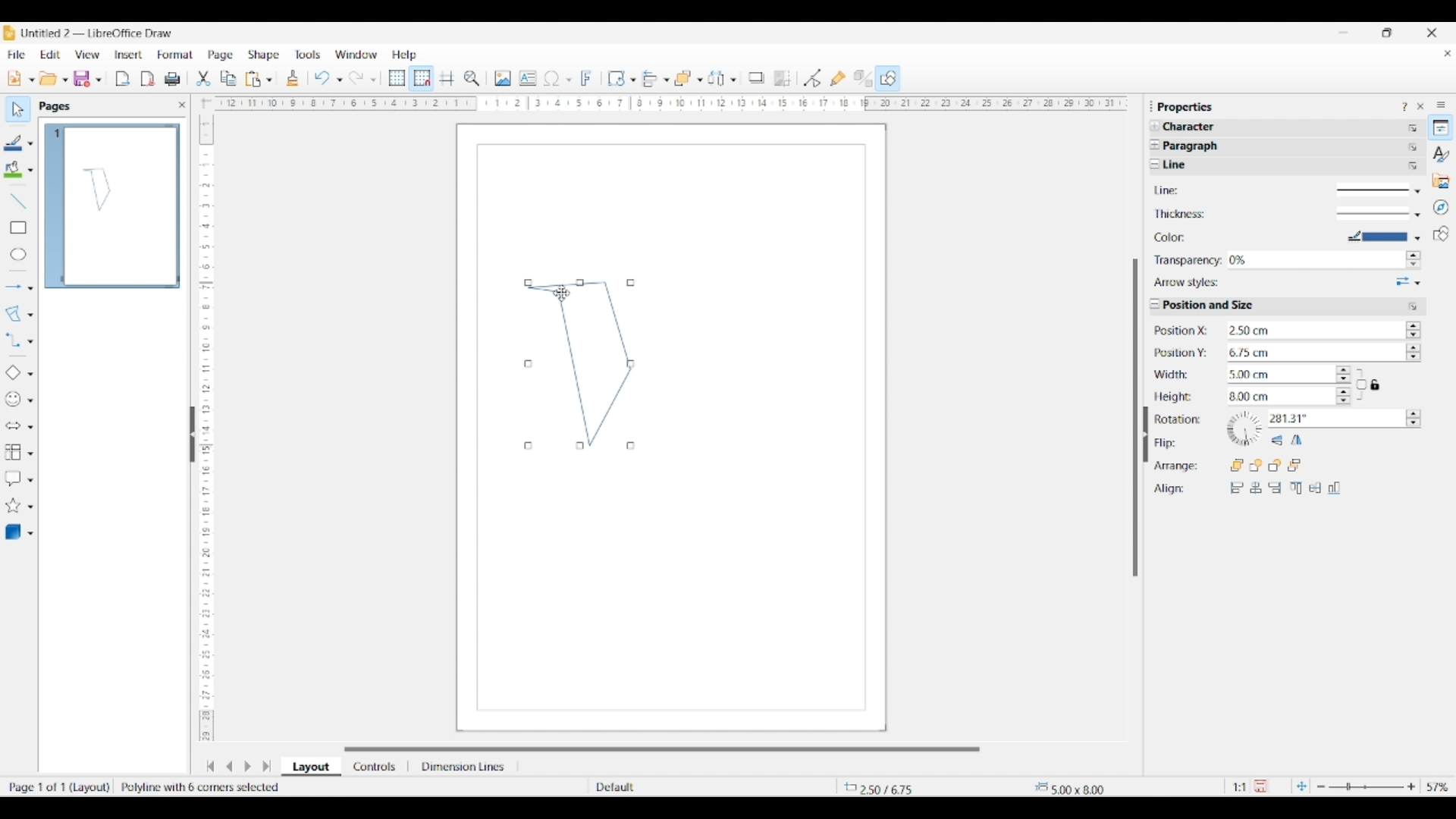 This screenshot has height=819, width=1456. What do you see at coordinates (311, 767) in the screenshot?
I see `Layout selected` at bounding box center [311, 767].